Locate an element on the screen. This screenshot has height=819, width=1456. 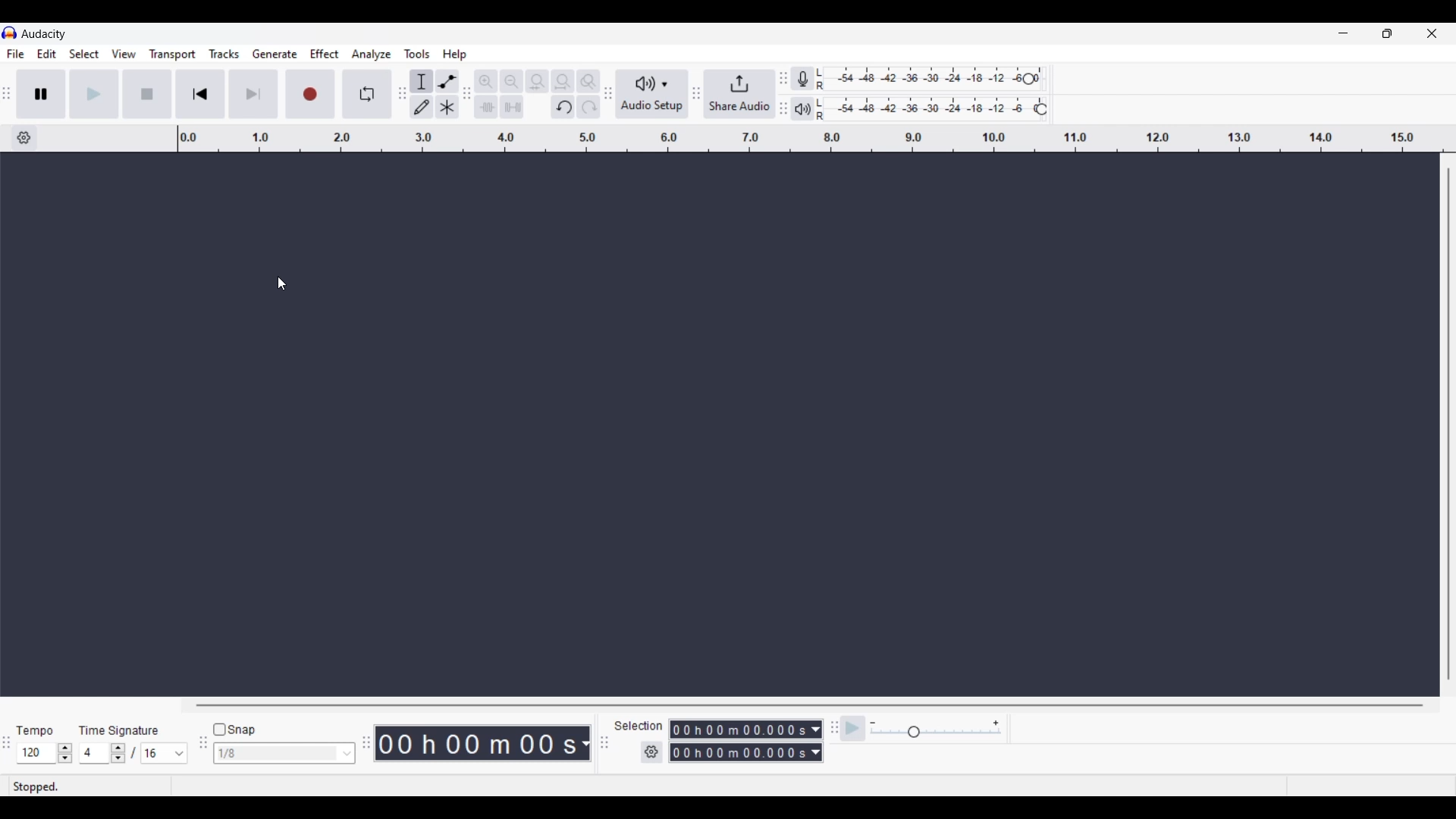
Edit menu is located at coordinates (47, 55).